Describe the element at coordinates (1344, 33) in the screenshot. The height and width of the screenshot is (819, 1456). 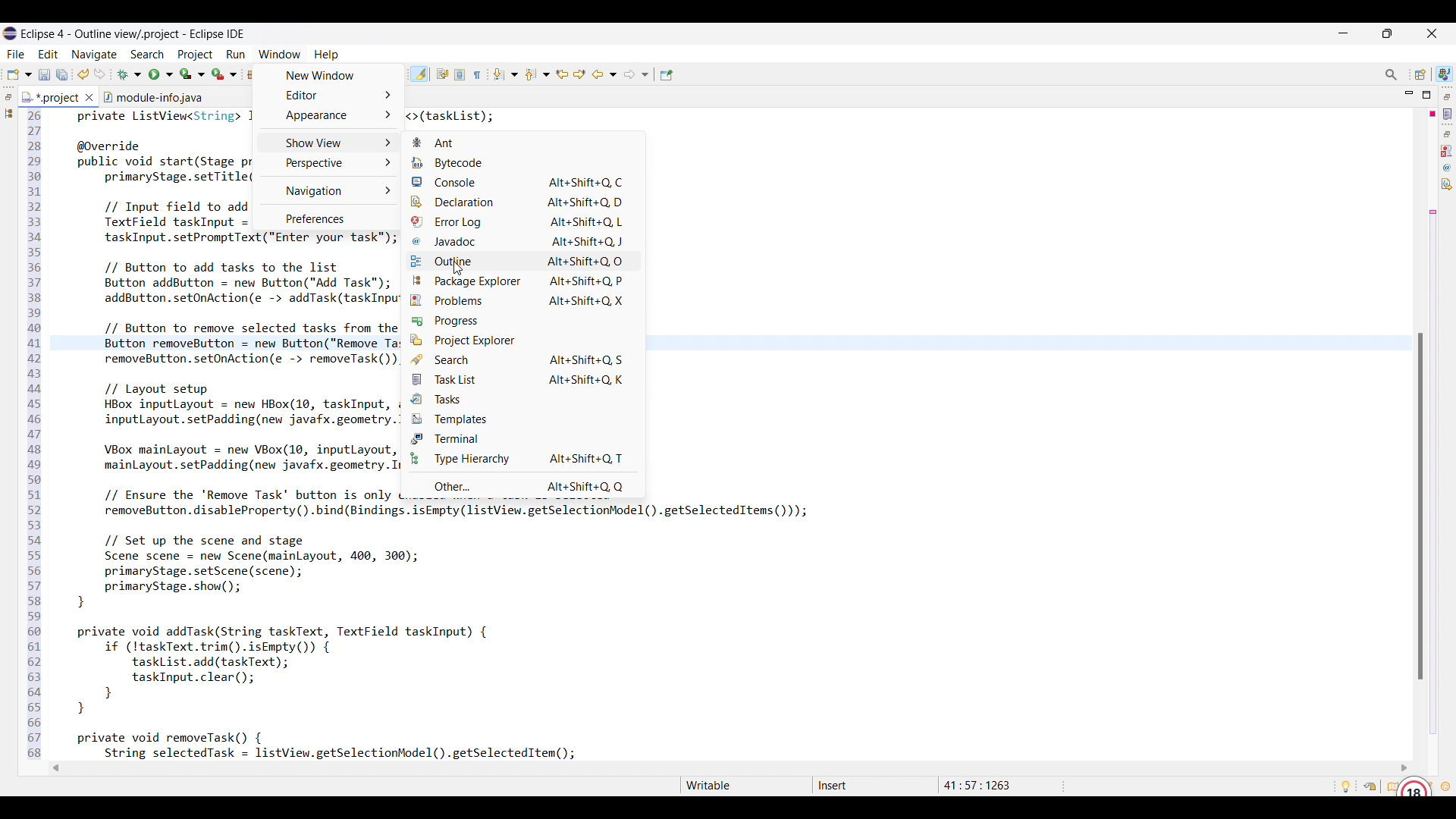
I see `Minimize` at that location.